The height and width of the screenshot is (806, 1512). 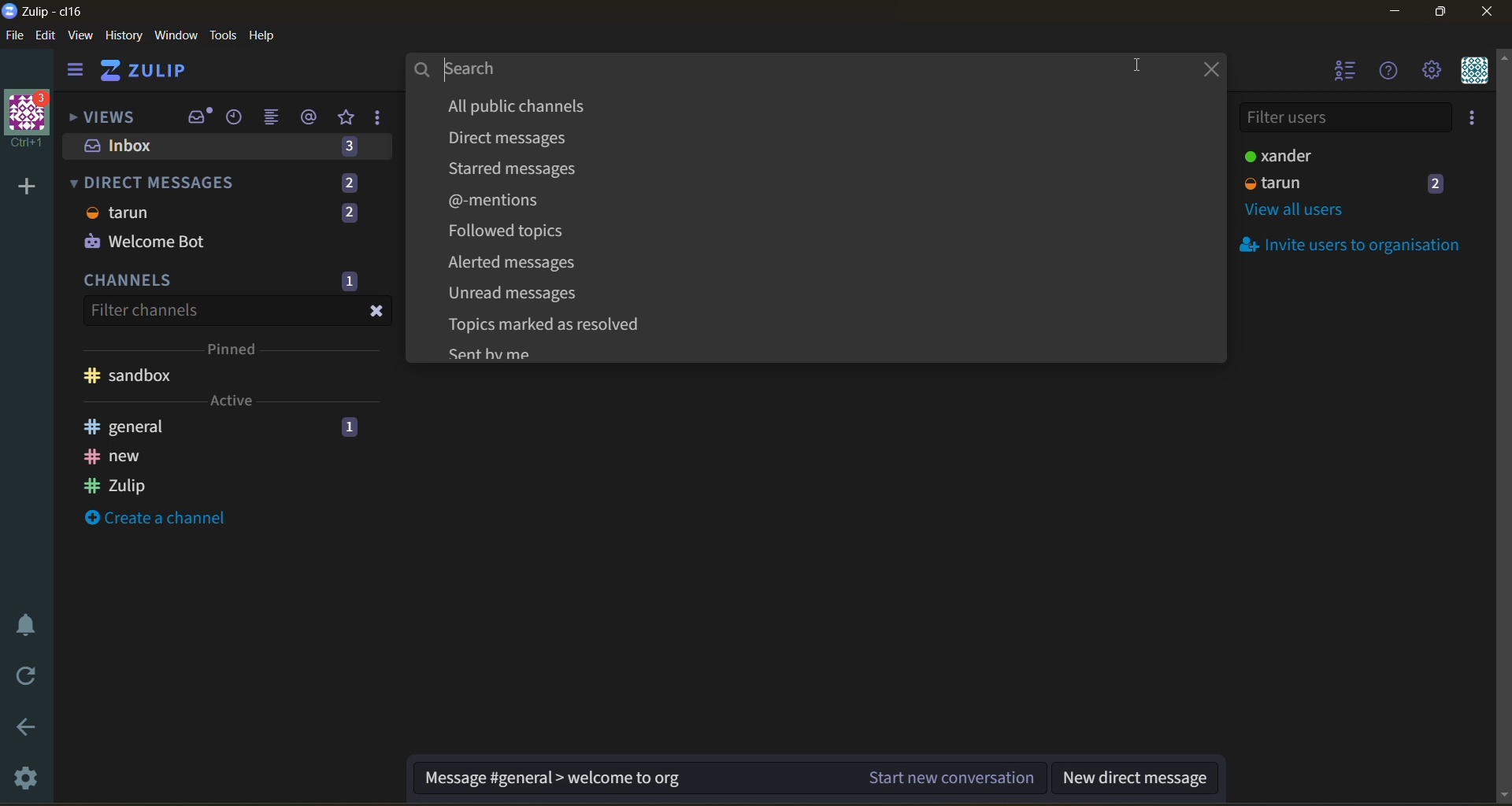 I want to click on Topics marked as resolved, so click(x=541, y=324).